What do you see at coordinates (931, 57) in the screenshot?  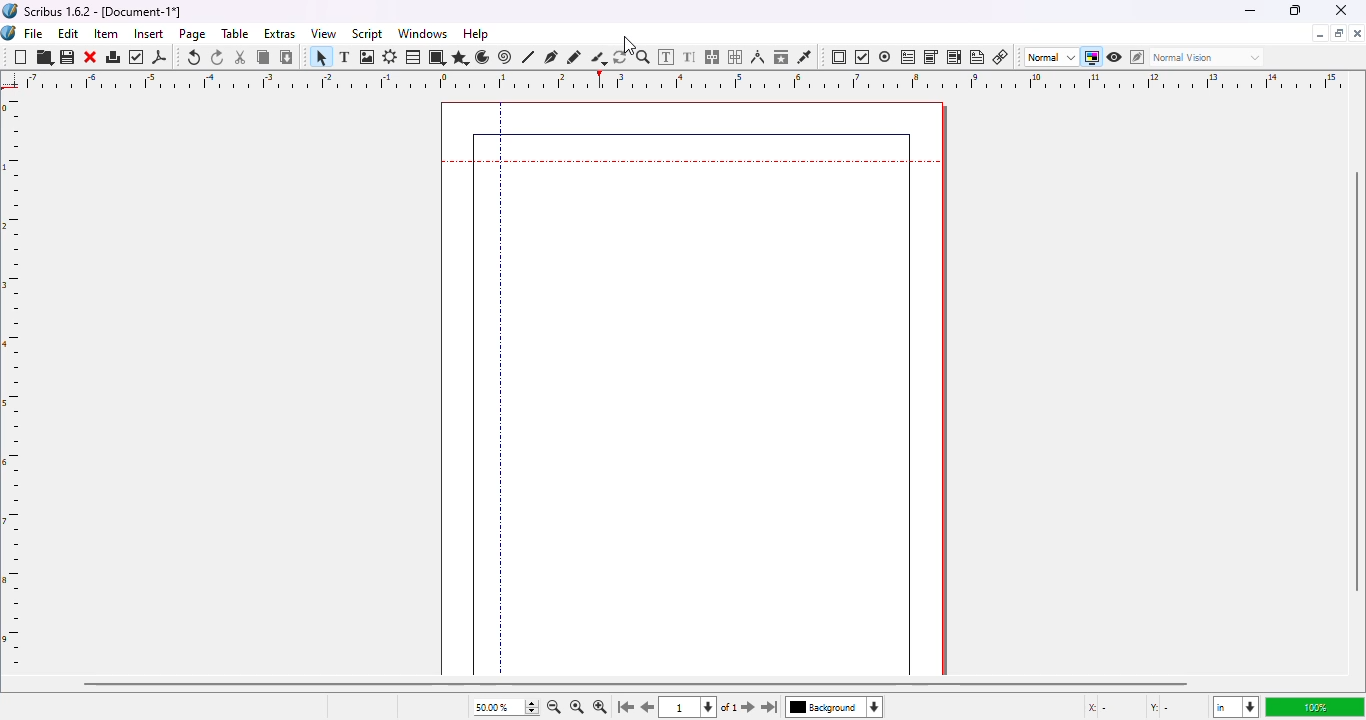 I see `PDF combo box` at bounding box center [931, 57].